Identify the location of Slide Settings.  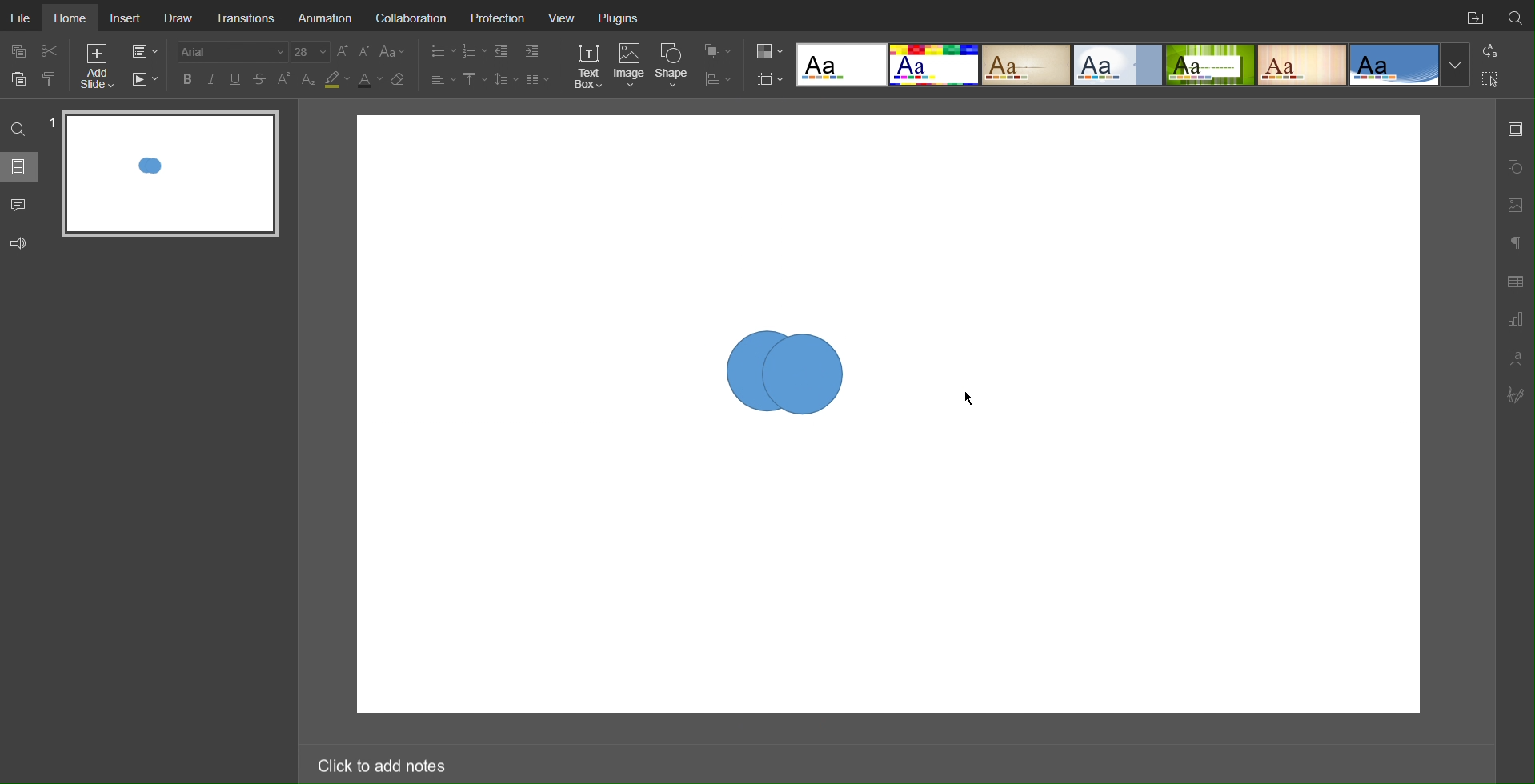
(143, 52).